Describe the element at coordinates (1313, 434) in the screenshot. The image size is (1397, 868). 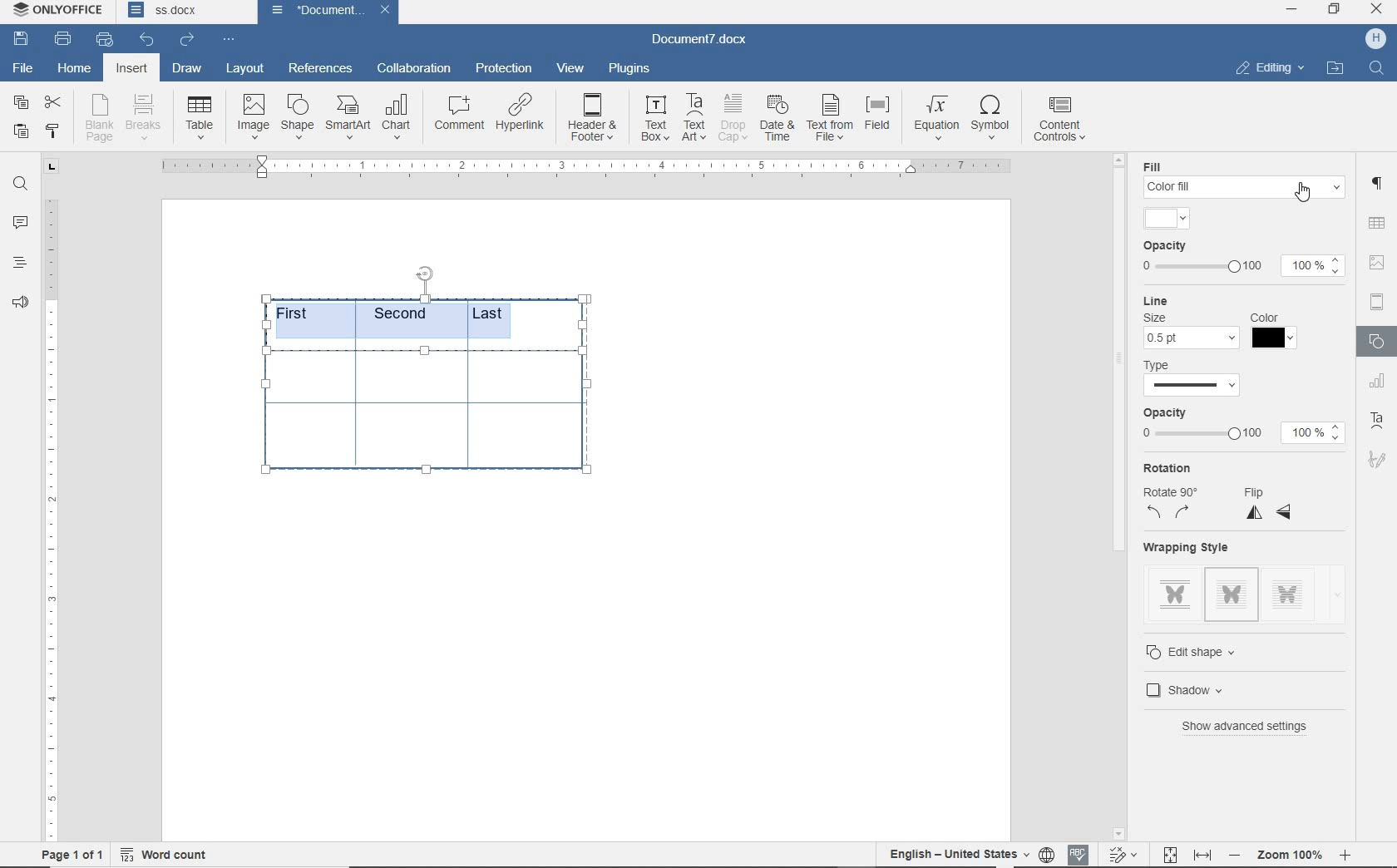
I see `100%` at that location.